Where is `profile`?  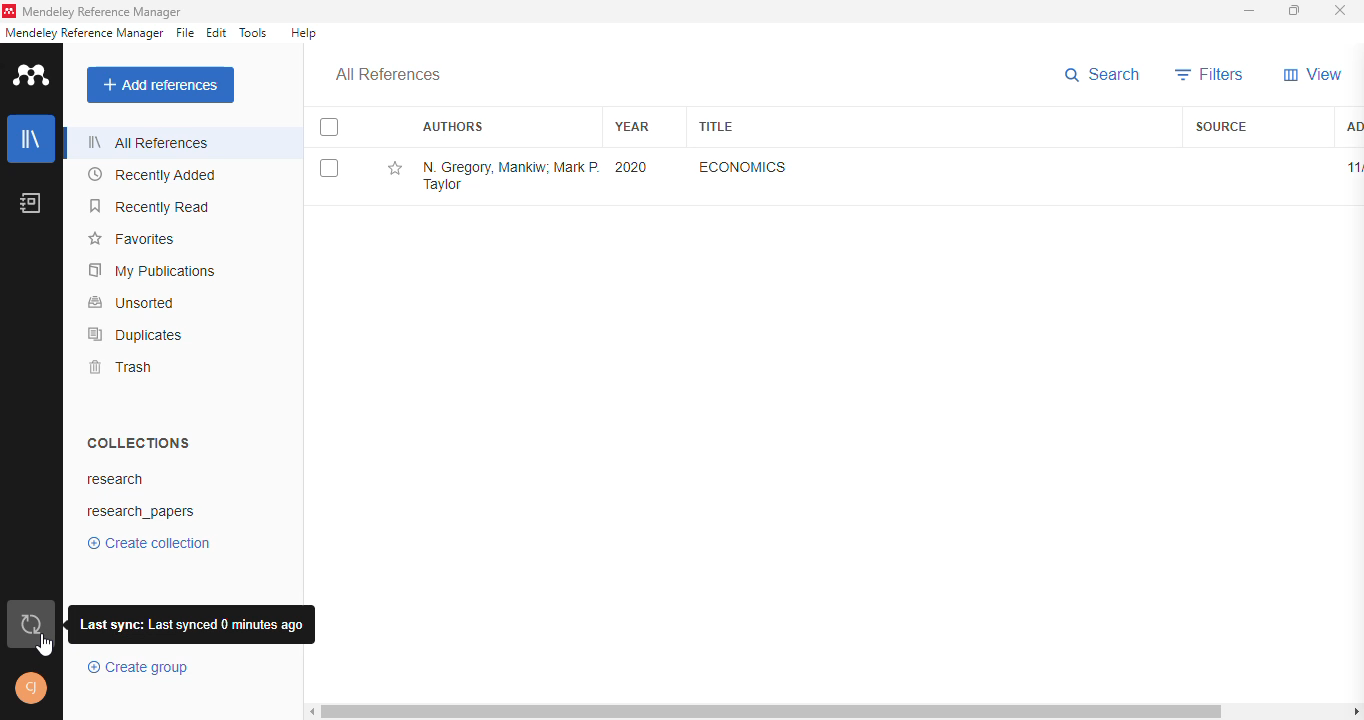 profile is located at coordinates (32, 689).